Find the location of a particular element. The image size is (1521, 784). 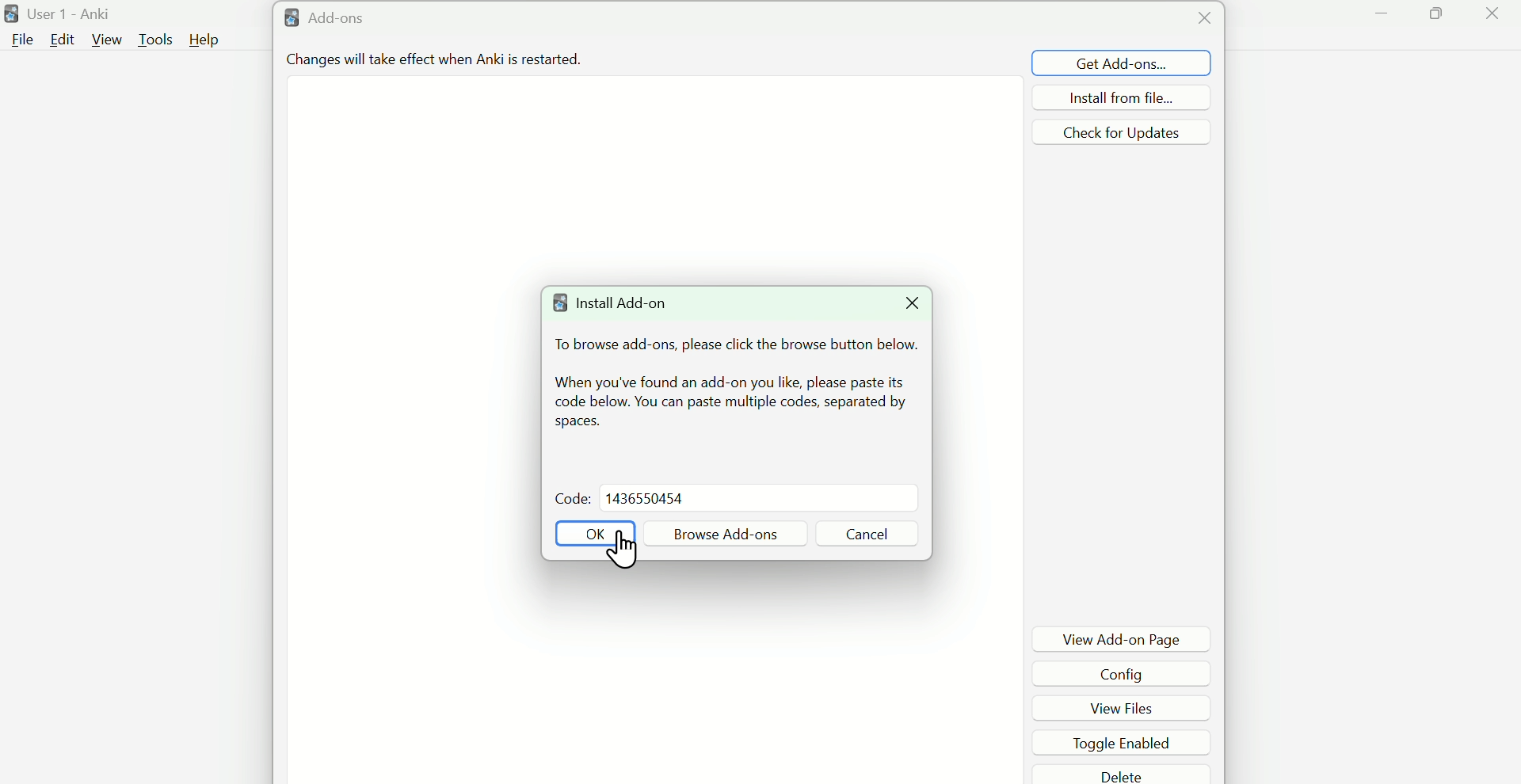

Get add Ons is located at coordinates (1122, 63).